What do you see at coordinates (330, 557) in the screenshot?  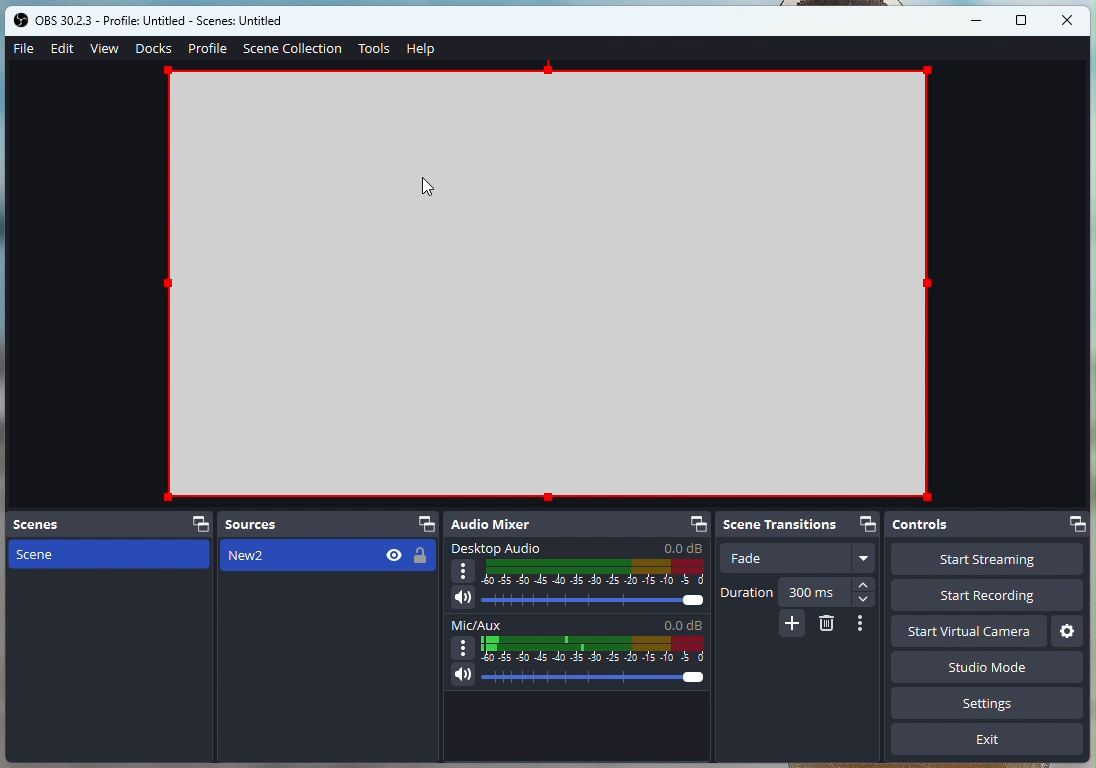 I see `after last action` at bounding box center [330, 557].